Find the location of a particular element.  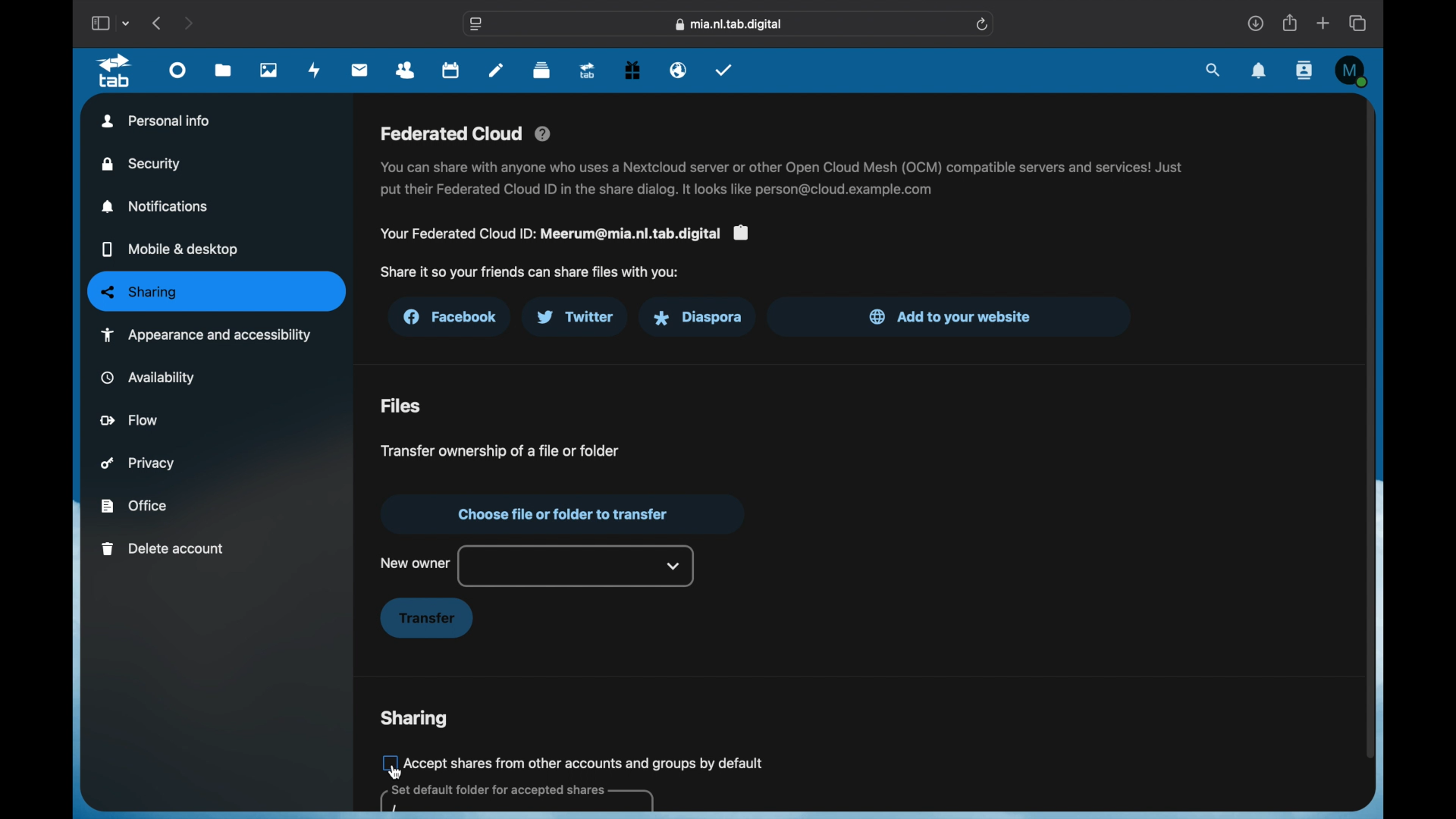

mobile and desktop is located at coordinates (170, 250).